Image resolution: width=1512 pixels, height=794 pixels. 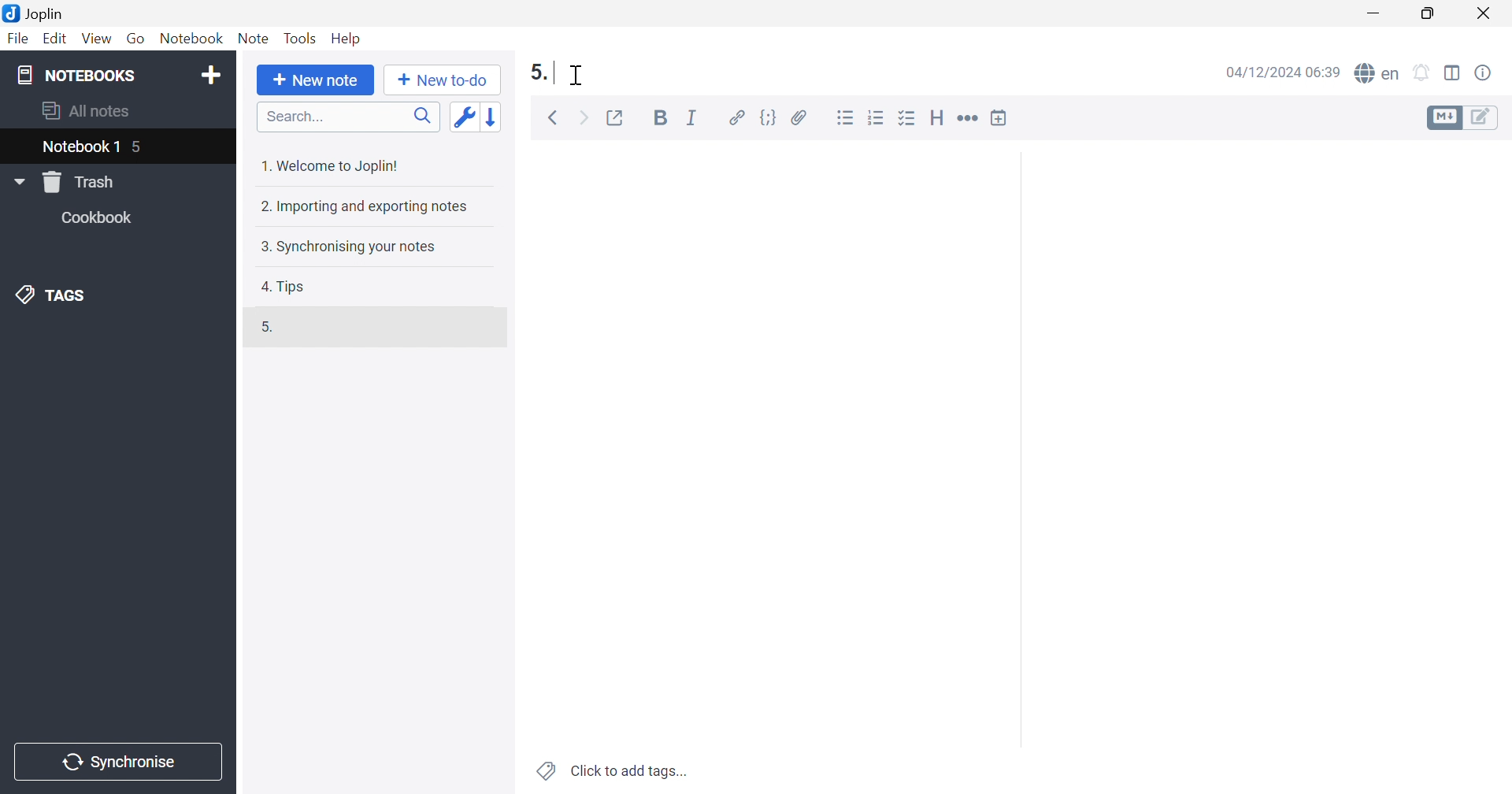 I want to click on Joplin, so click(x=39, y=15).